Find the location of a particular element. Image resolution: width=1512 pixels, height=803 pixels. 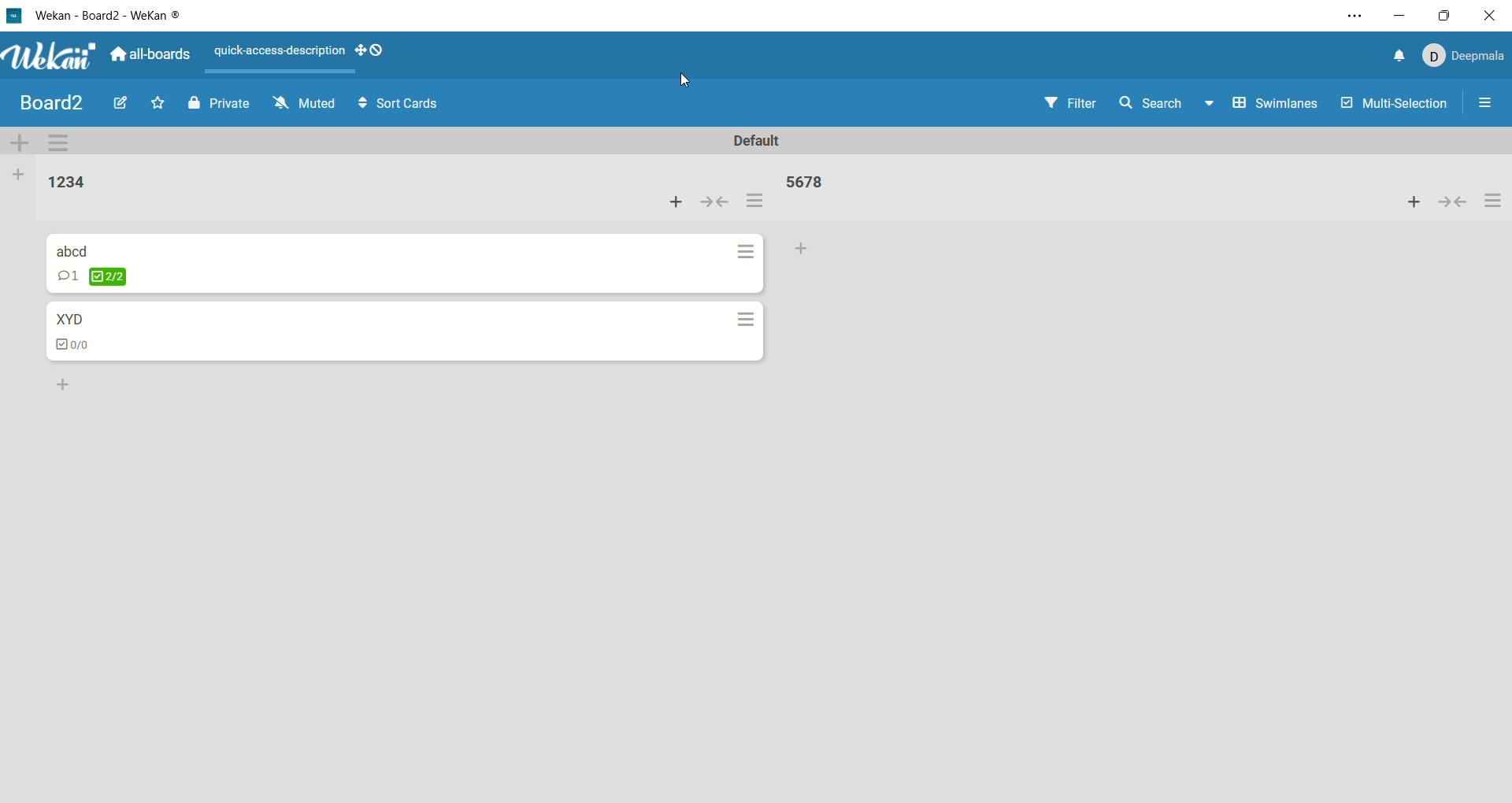

checklist is located at coordinates (108, 276).